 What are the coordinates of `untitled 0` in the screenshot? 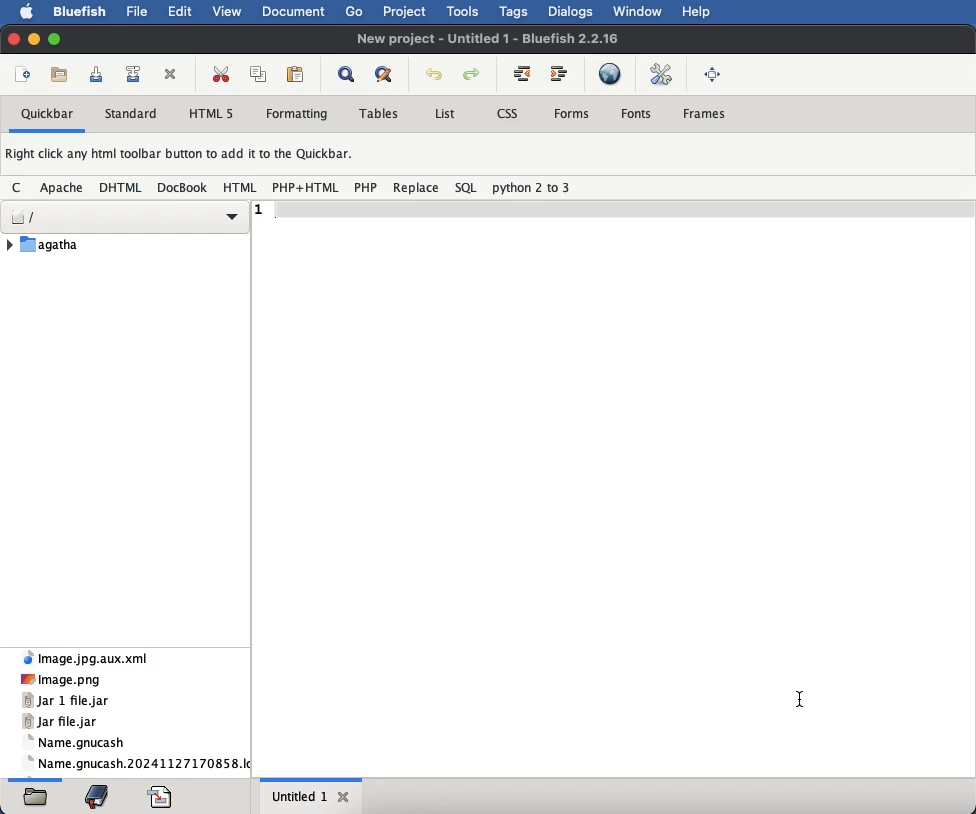 It's located at (298, 798).